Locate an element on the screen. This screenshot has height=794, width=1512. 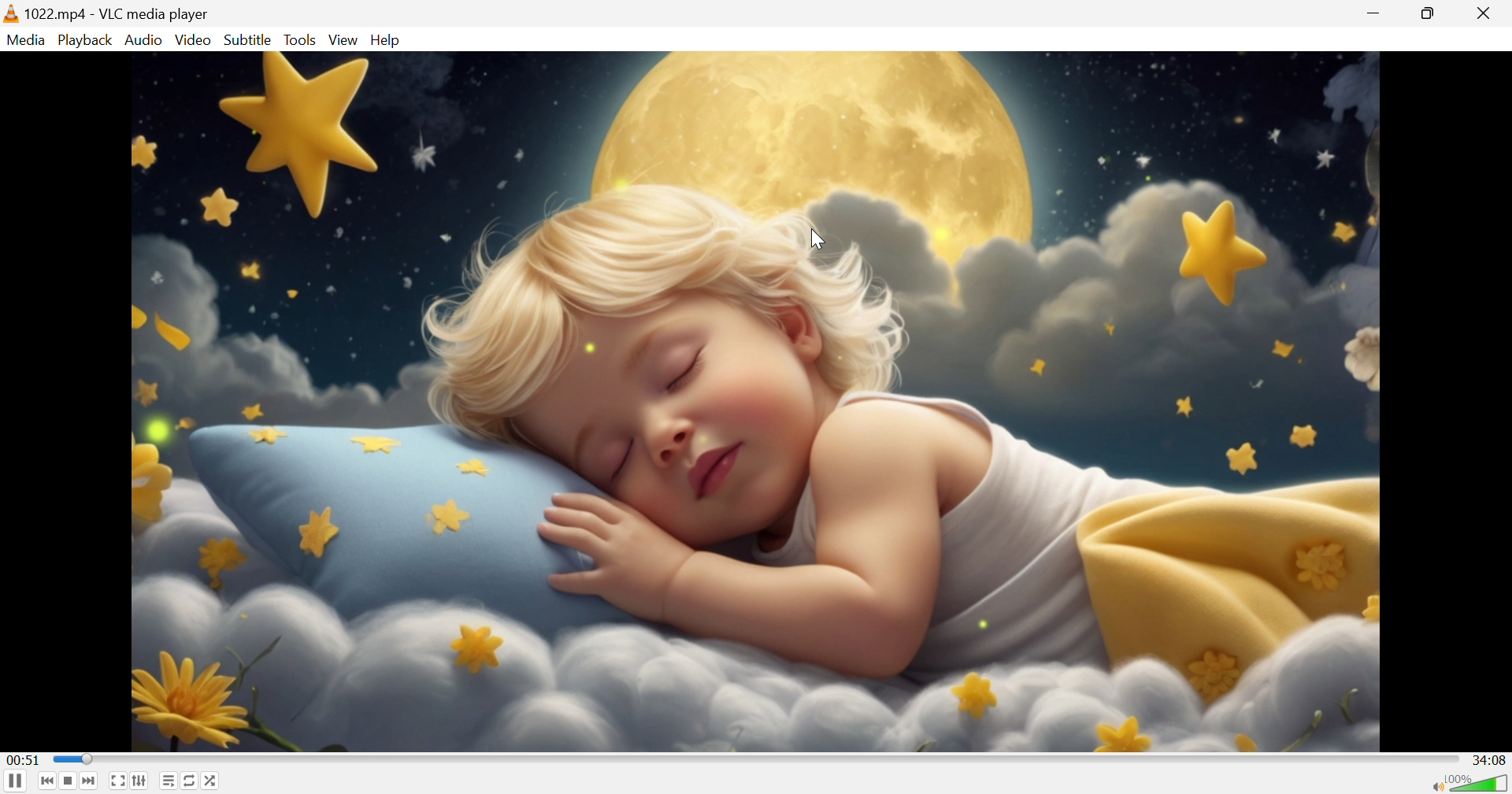
34:08 is located at coordinates (1492, 759).